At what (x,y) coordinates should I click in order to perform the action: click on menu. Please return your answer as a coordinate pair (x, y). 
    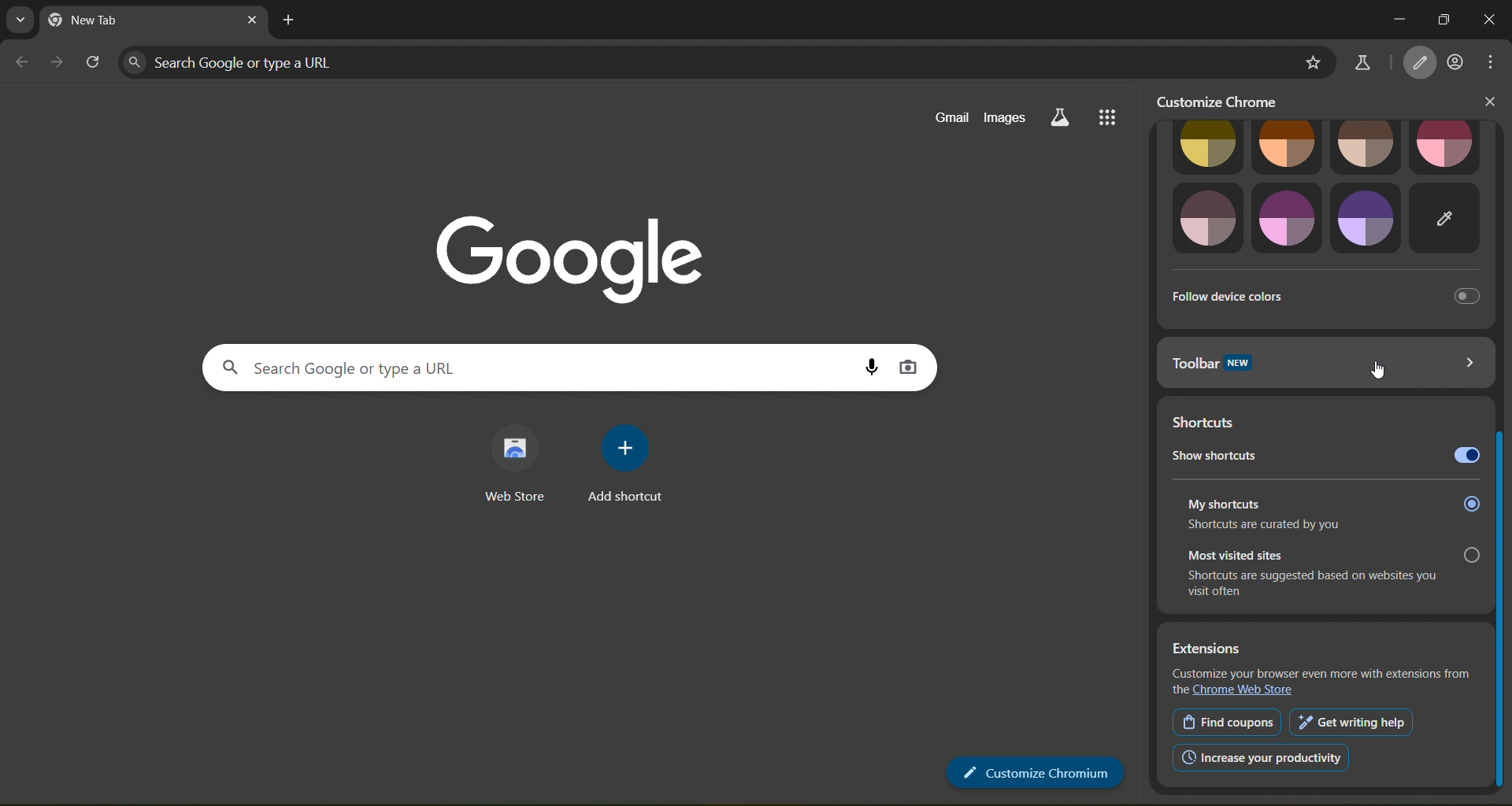
    Looking at the image, I should click on (1492, 61).